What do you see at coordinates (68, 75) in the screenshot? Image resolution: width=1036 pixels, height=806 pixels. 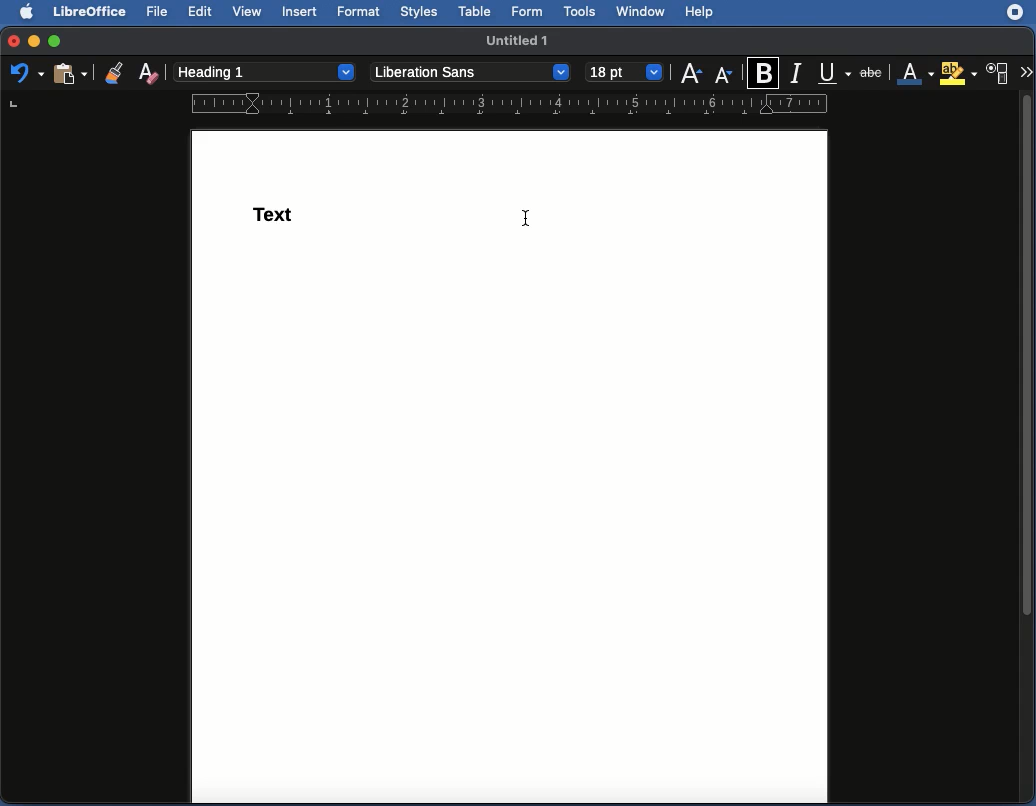 I see `Clipboard` at bounding box center [68, 75].